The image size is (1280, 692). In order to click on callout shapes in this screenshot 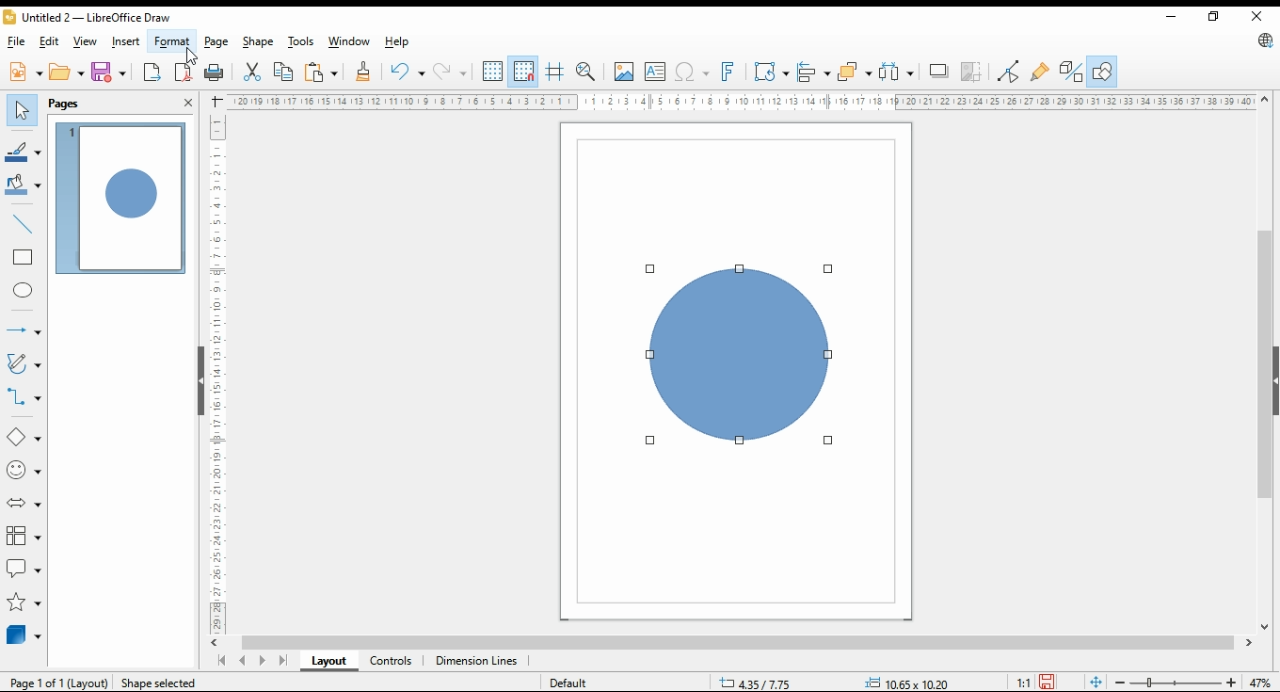, I will do `click(21, 566)`.